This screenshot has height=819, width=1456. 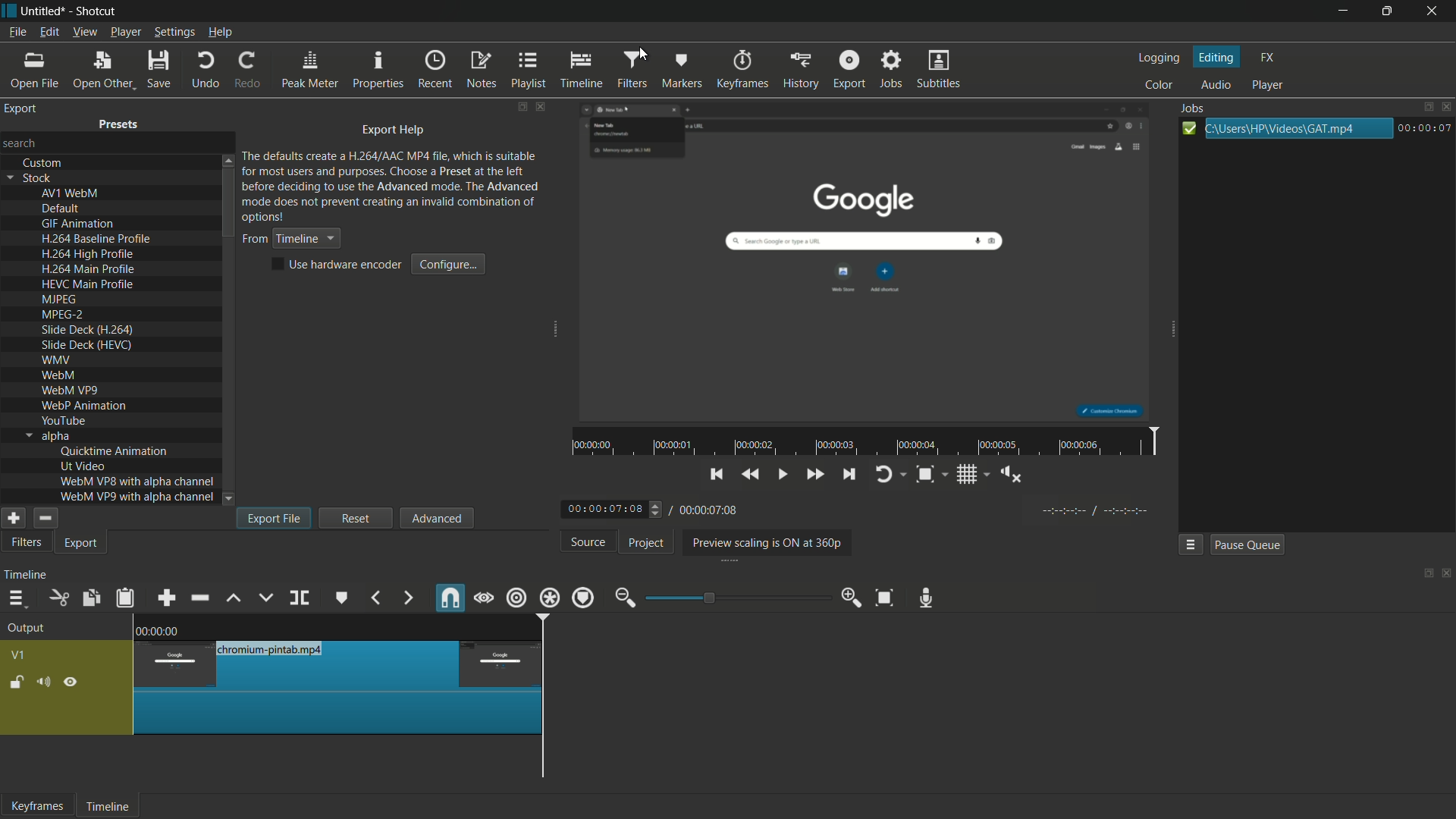 I want to click on scrub while dragging, so click(x=485, y=600).